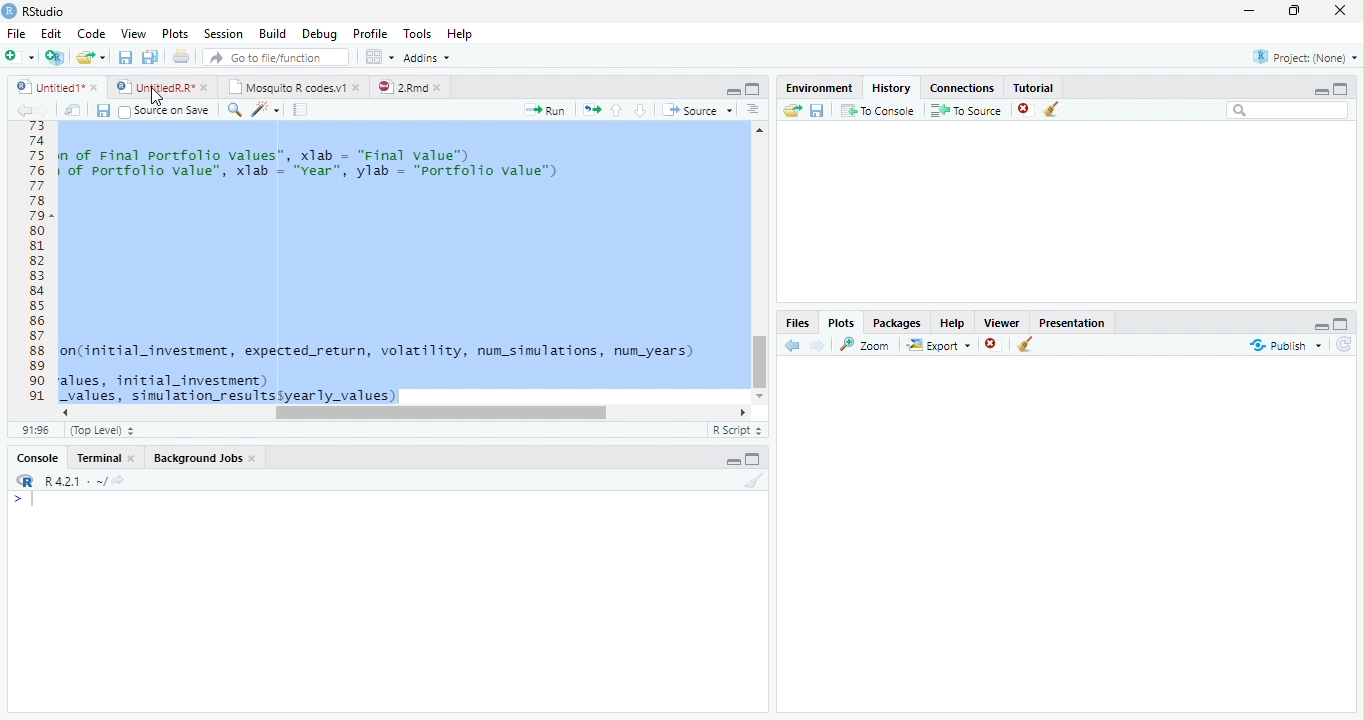 This screenshot has height=720, width=1364. What do you see at coordinates (642, 111) in the screenshot?
I see `Go to next section of code` at bounding box center [642, 111].